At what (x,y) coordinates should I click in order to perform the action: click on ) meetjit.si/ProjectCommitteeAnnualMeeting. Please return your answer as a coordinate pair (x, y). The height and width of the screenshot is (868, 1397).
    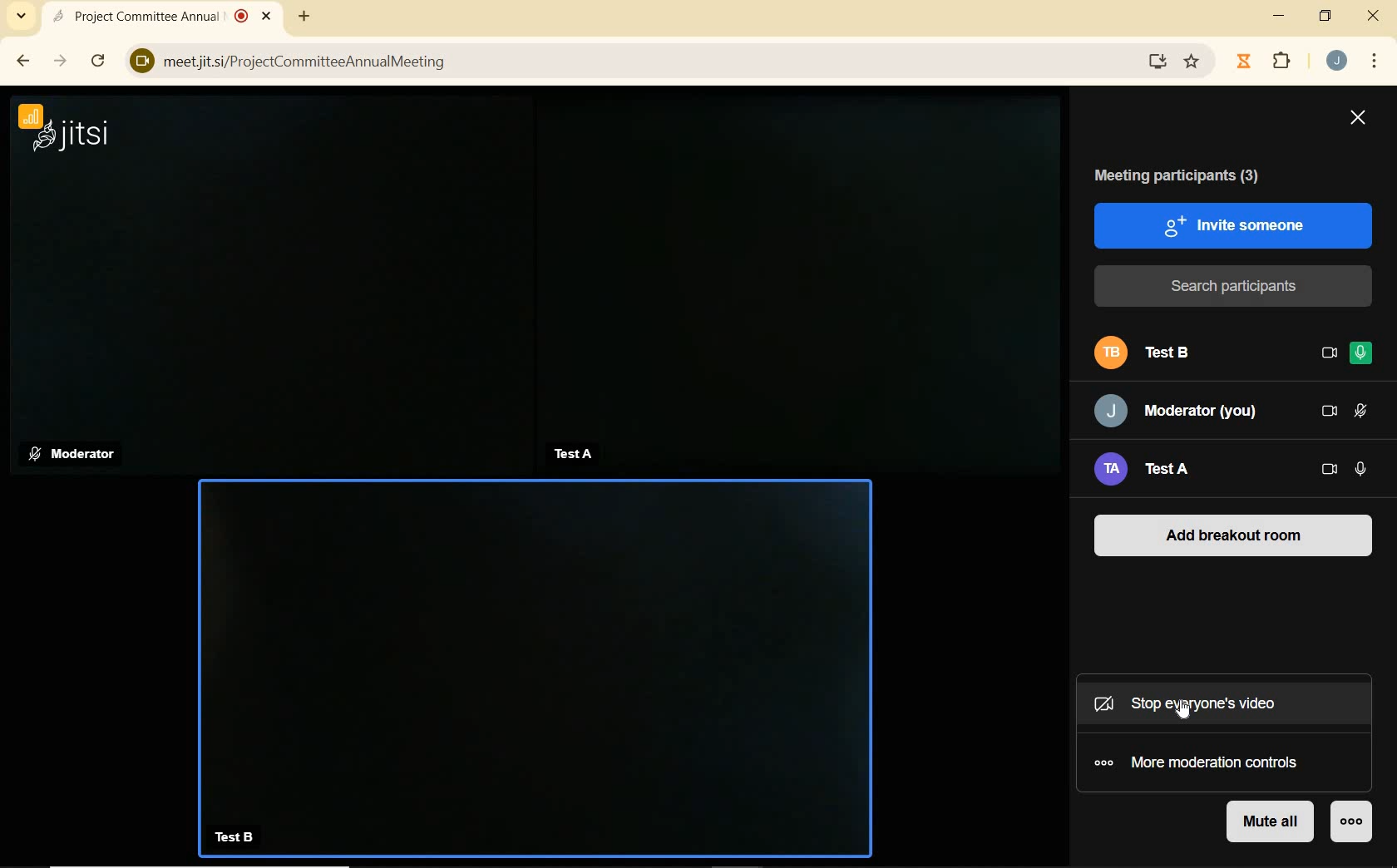
    Looking at the image, I should click on (636, 62).